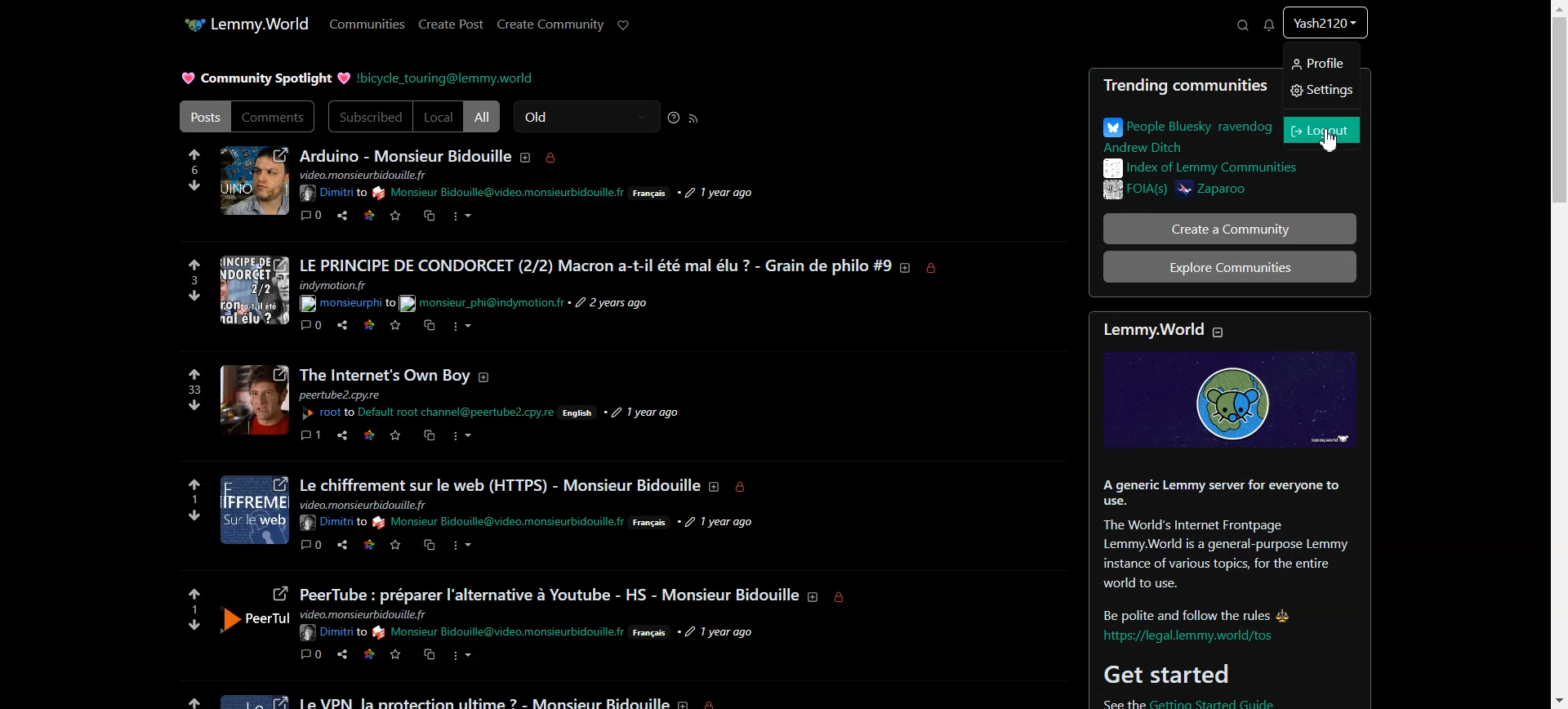 The width and height of the screenshot is (1568, 709). What do you see at coordinates (1230, 228) in the screenshot?
I see `Create a Community` at bounding box center [1230, 228].